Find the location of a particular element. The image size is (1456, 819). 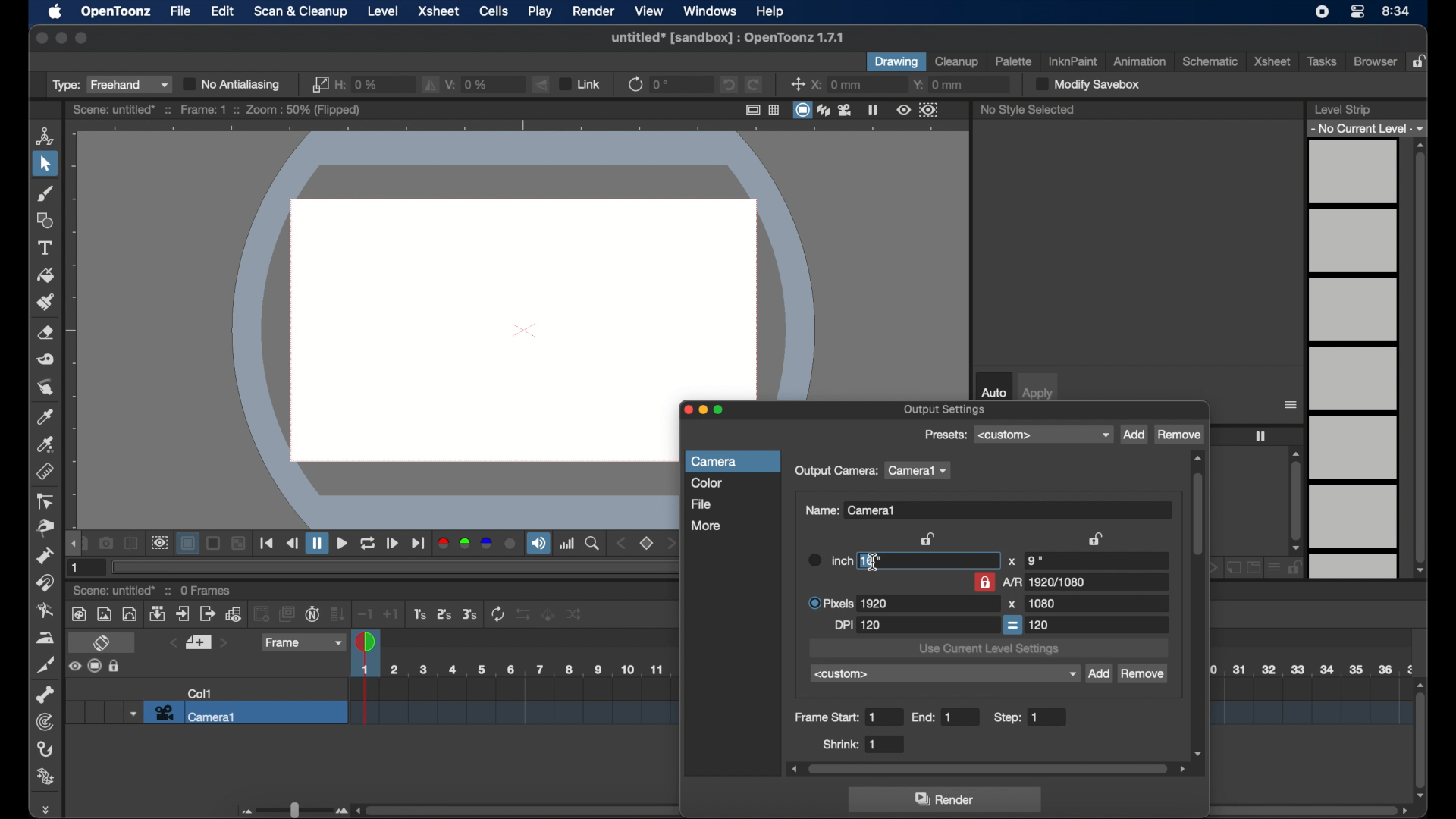

eraser tool is located at coordinates (47, 333).